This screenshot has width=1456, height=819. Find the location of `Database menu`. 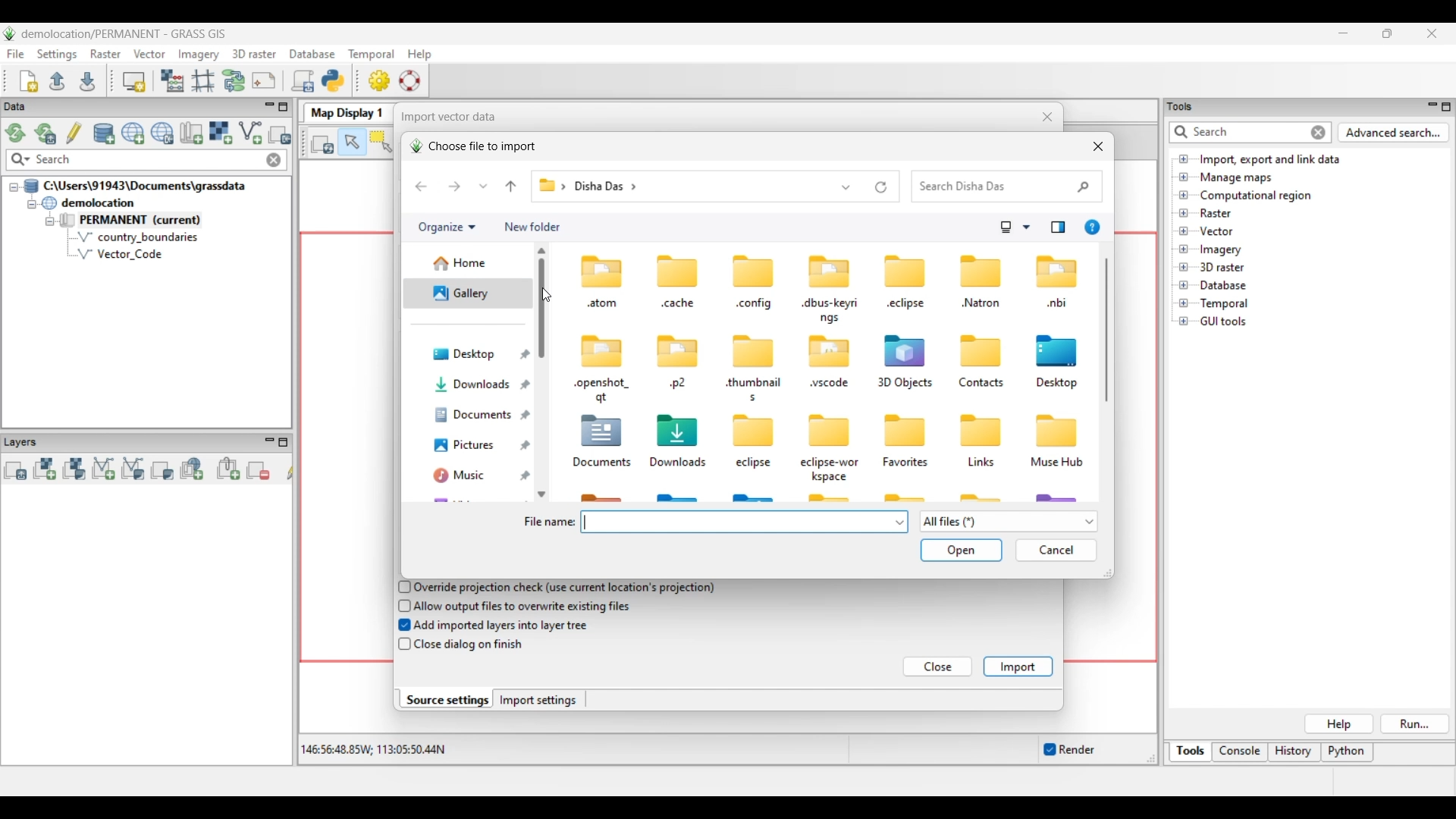

Database menu is located at coordinates (312, 55).